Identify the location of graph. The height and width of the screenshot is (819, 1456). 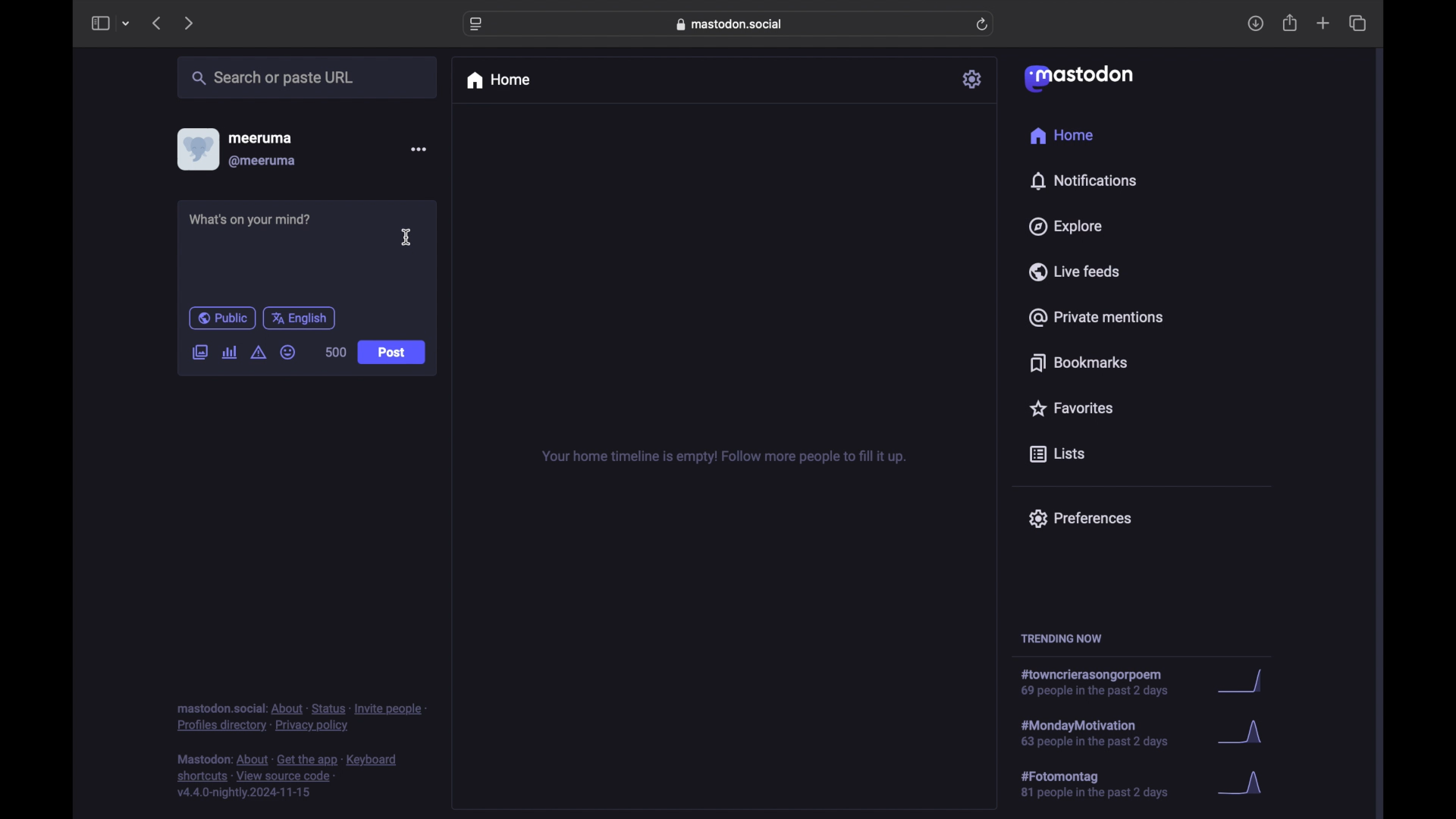
(1253, 789).